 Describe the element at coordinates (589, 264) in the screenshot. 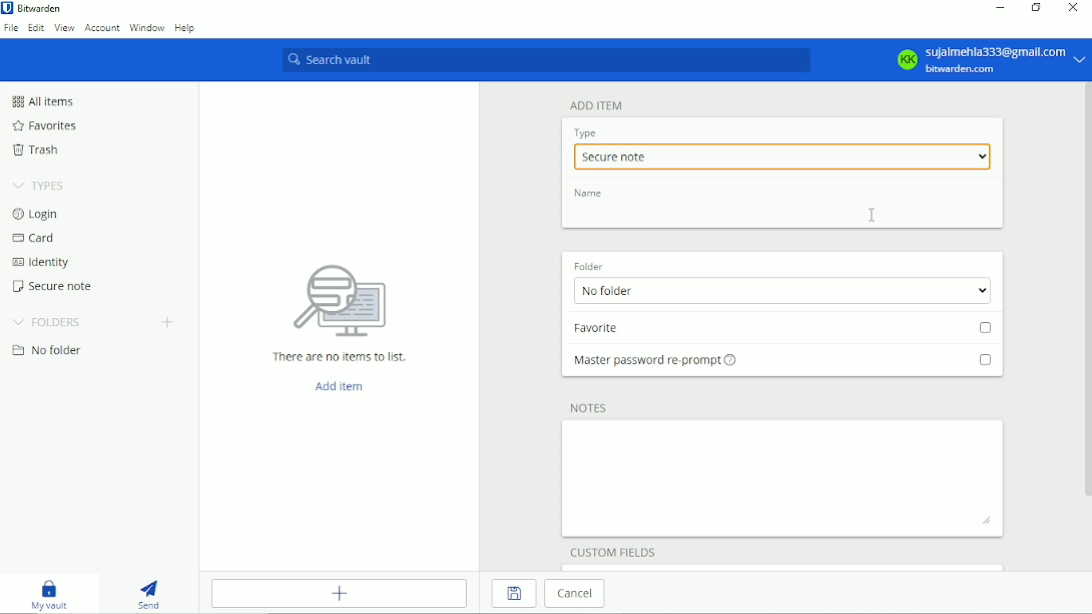

I see `Folder` at that location.